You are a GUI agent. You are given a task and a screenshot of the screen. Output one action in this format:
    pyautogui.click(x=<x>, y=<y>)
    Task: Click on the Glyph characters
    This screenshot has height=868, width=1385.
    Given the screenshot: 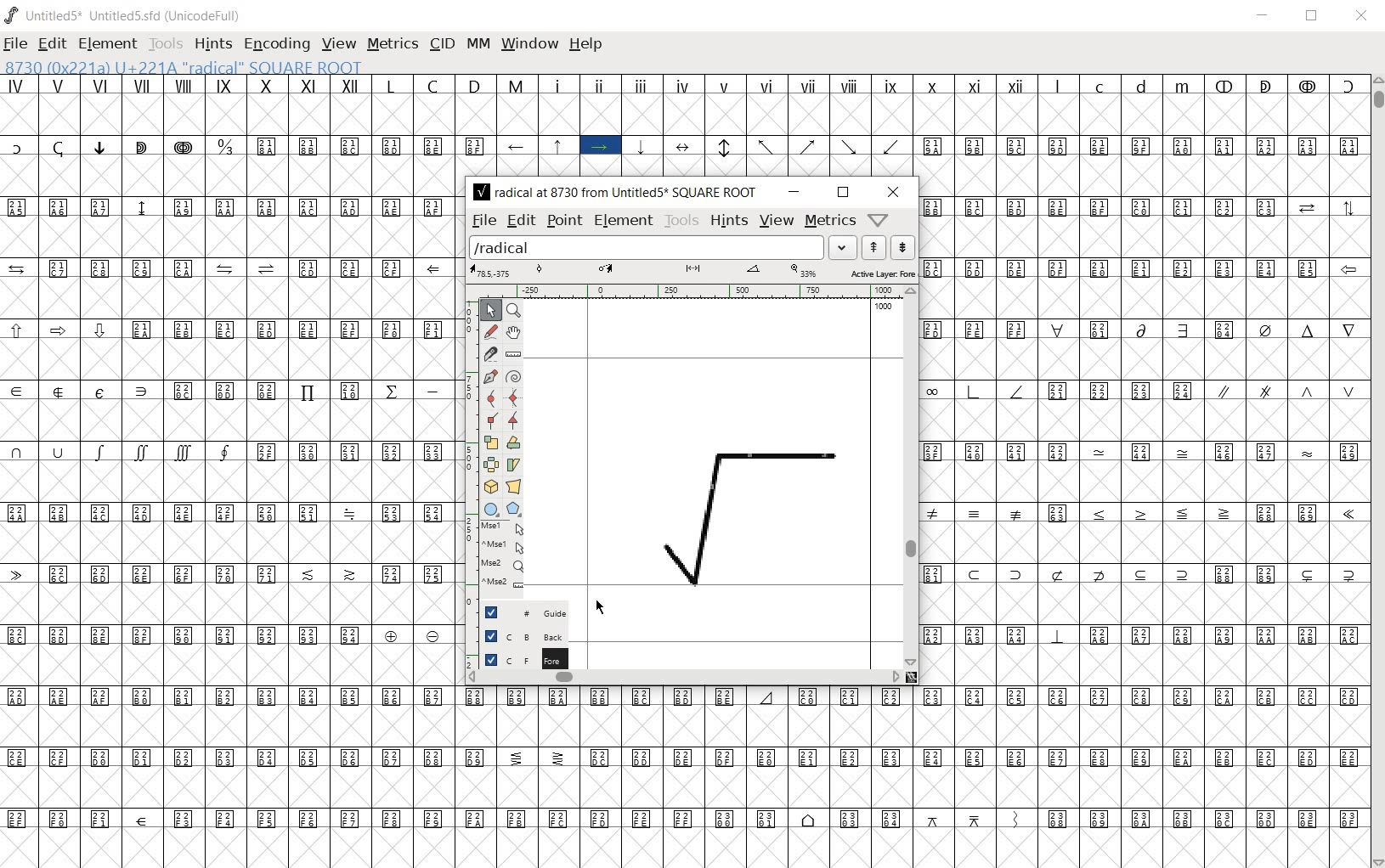 What is the action you would take?
    pyautogui.click(x=912, y=777)
    